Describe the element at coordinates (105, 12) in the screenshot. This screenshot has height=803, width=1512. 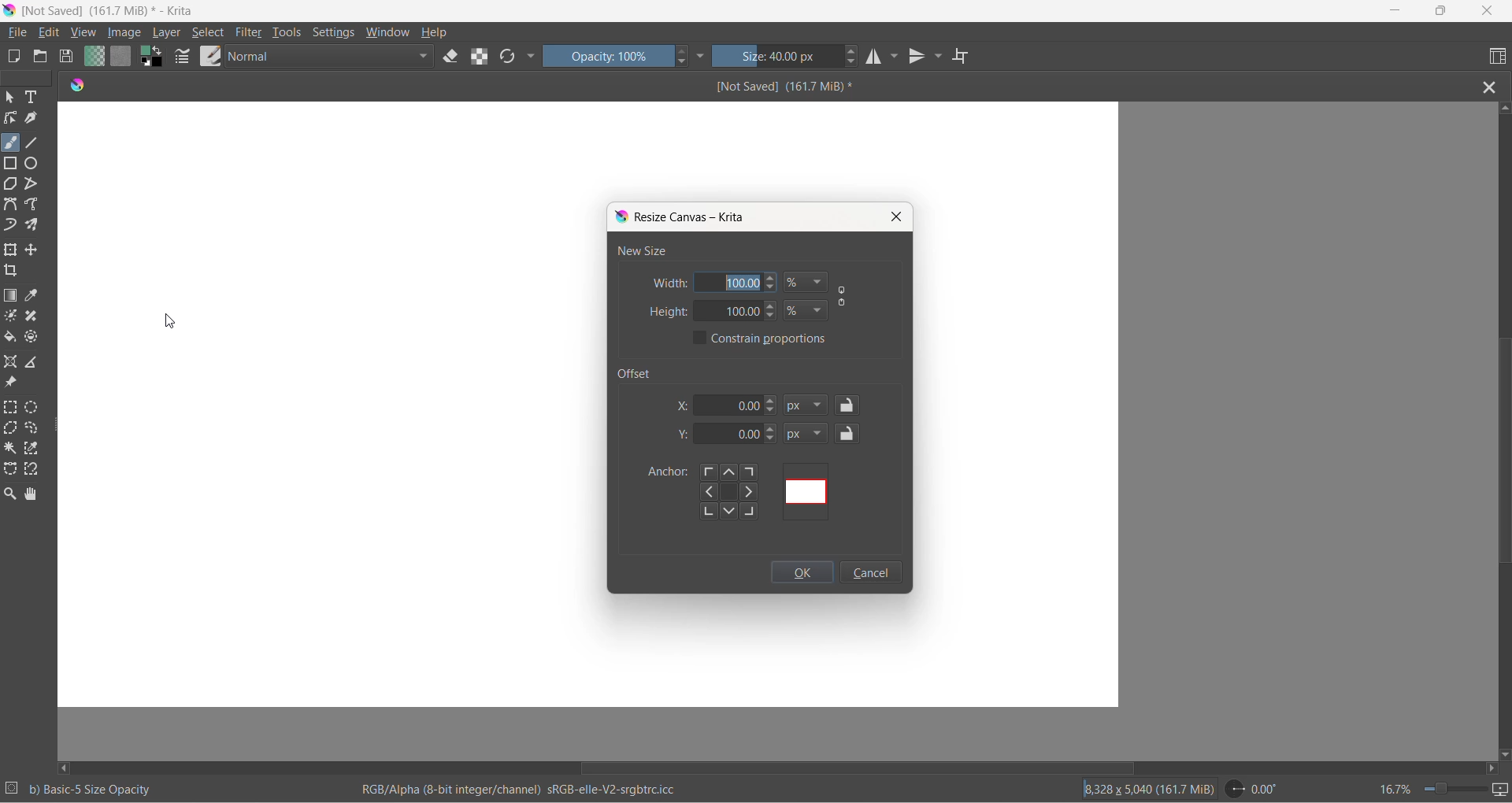
I see `File name and size` at that location.